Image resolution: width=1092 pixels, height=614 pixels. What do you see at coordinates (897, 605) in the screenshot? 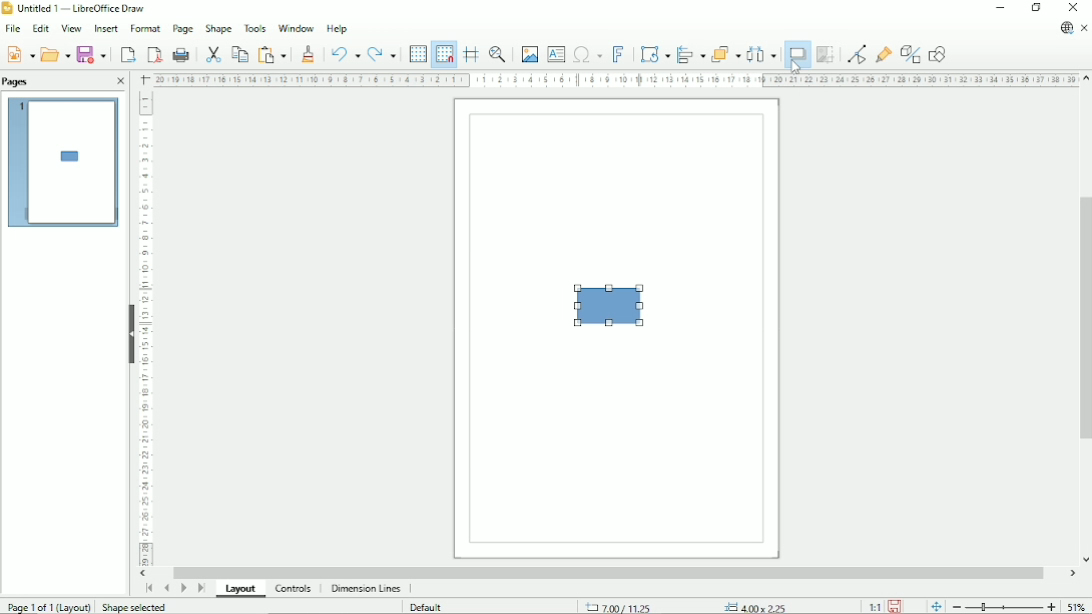
I see `Save` at bounding box center [897, 605].